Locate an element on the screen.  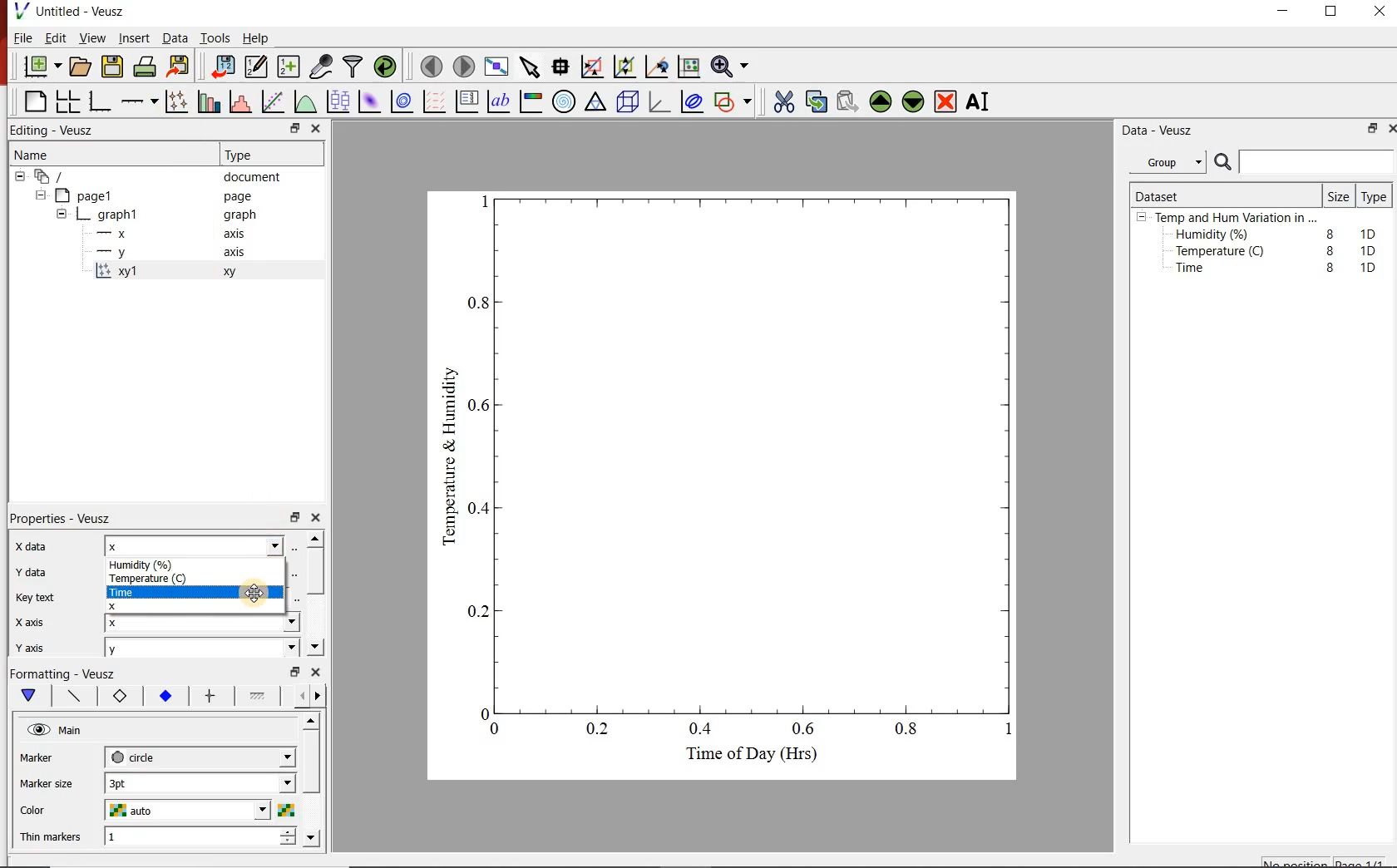
3pt is located at coordinates (137, 782).